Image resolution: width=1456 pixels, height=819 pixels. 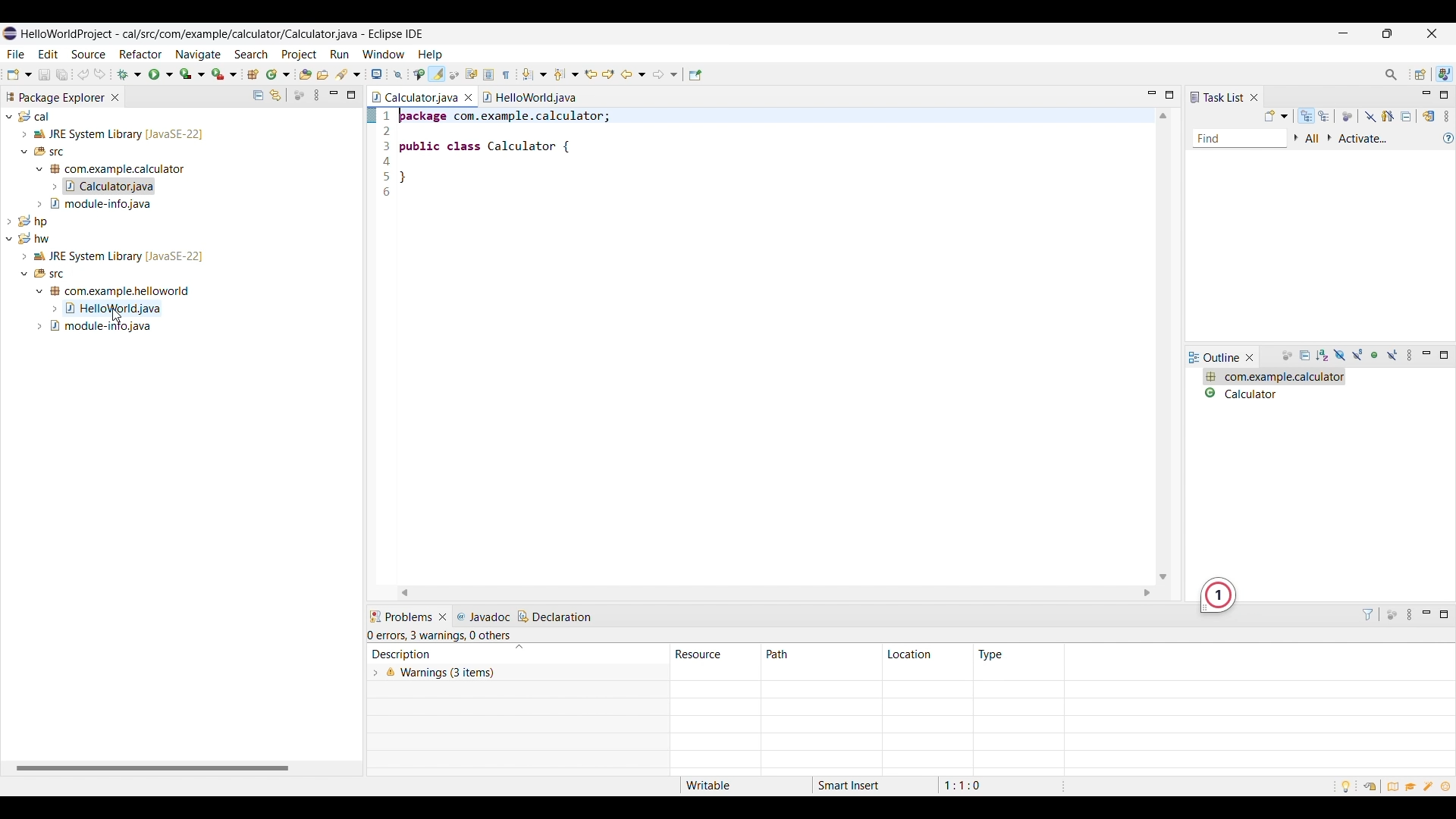 I want to click on warning (3 items), so click(x=698, y=684).